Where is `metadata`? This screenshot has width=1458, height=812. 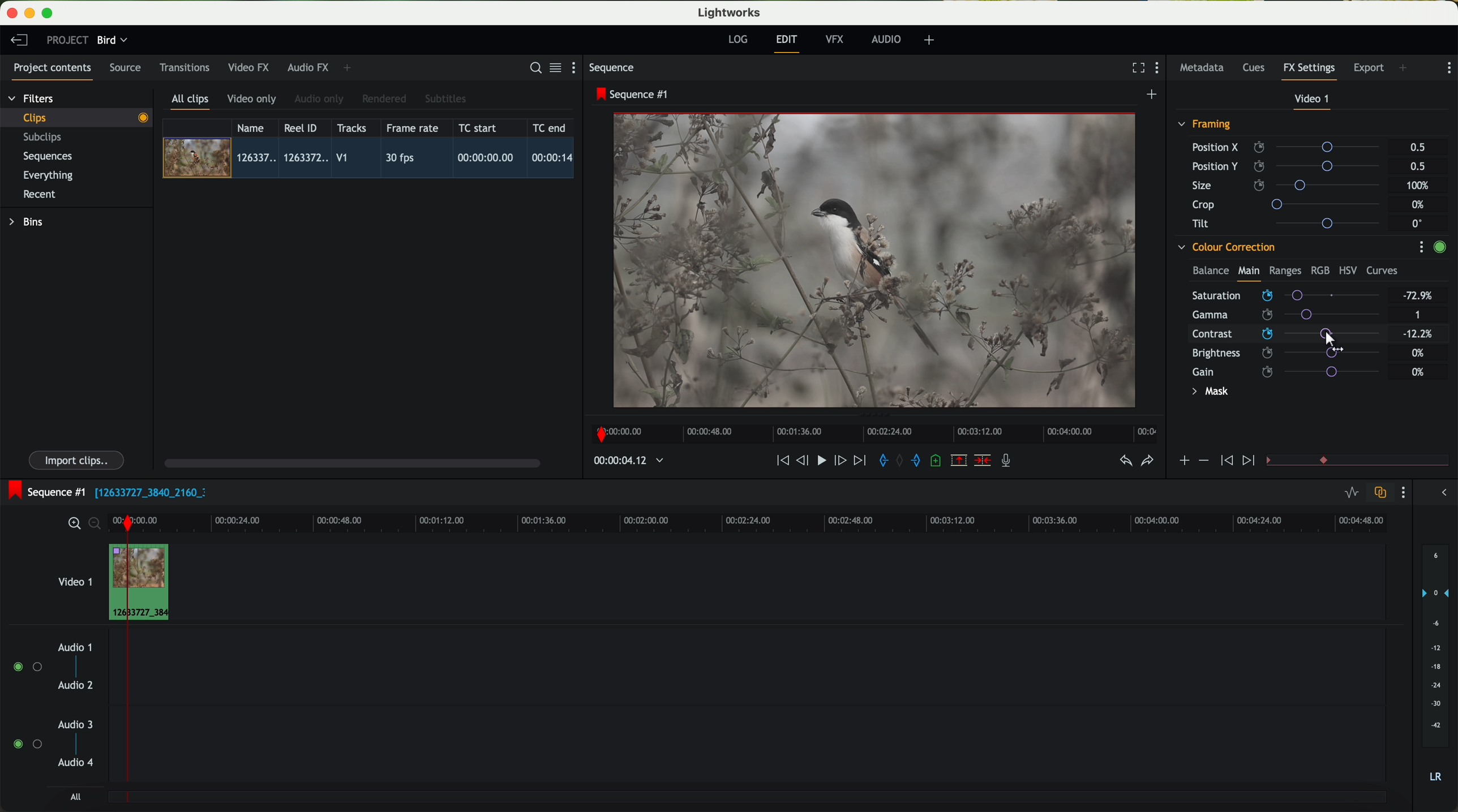
metadata is located at coordinates (1204, 68).